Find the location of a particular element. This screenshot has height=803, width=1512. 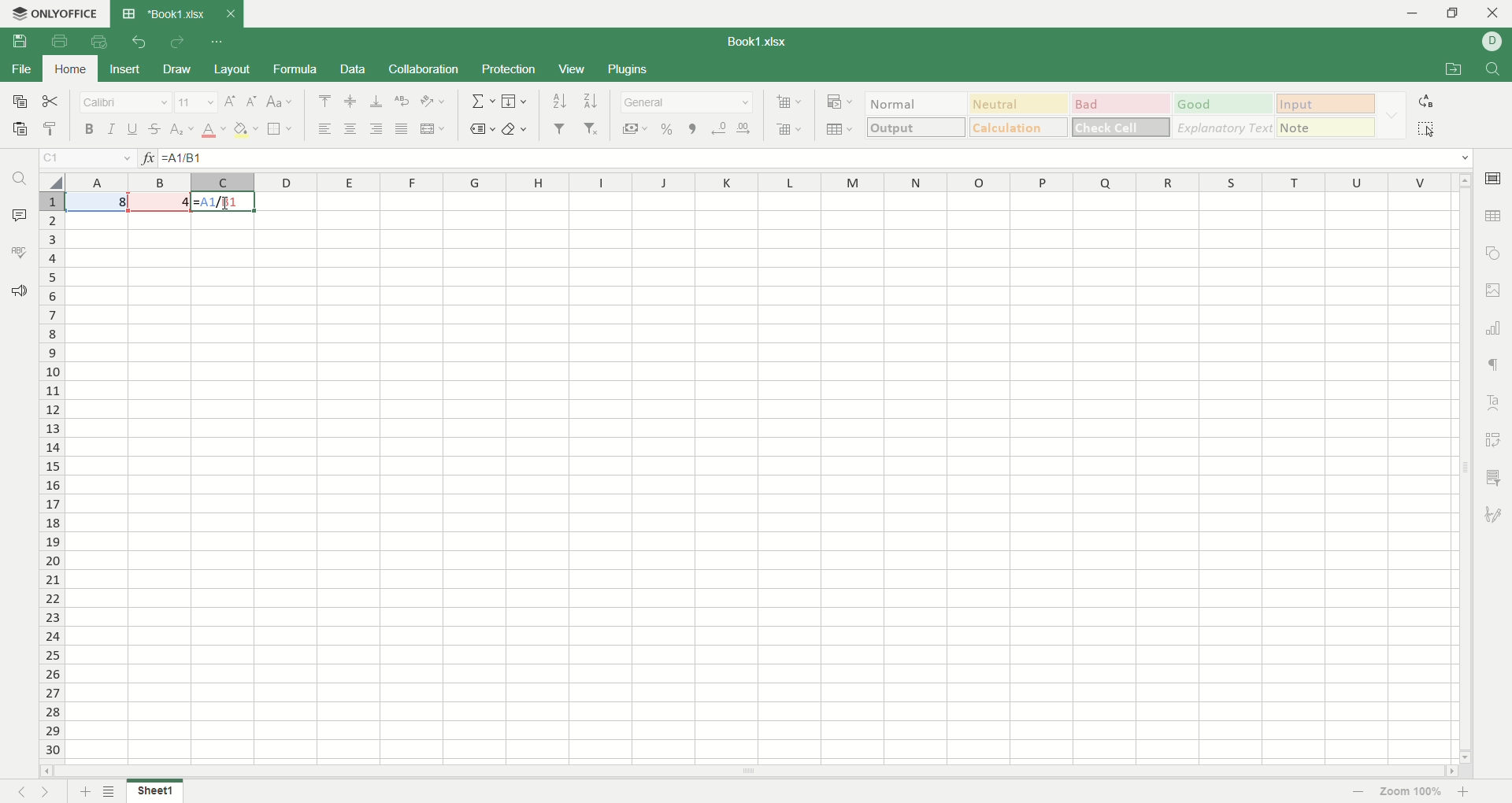

open file location is located at coordinates (1458, 68).